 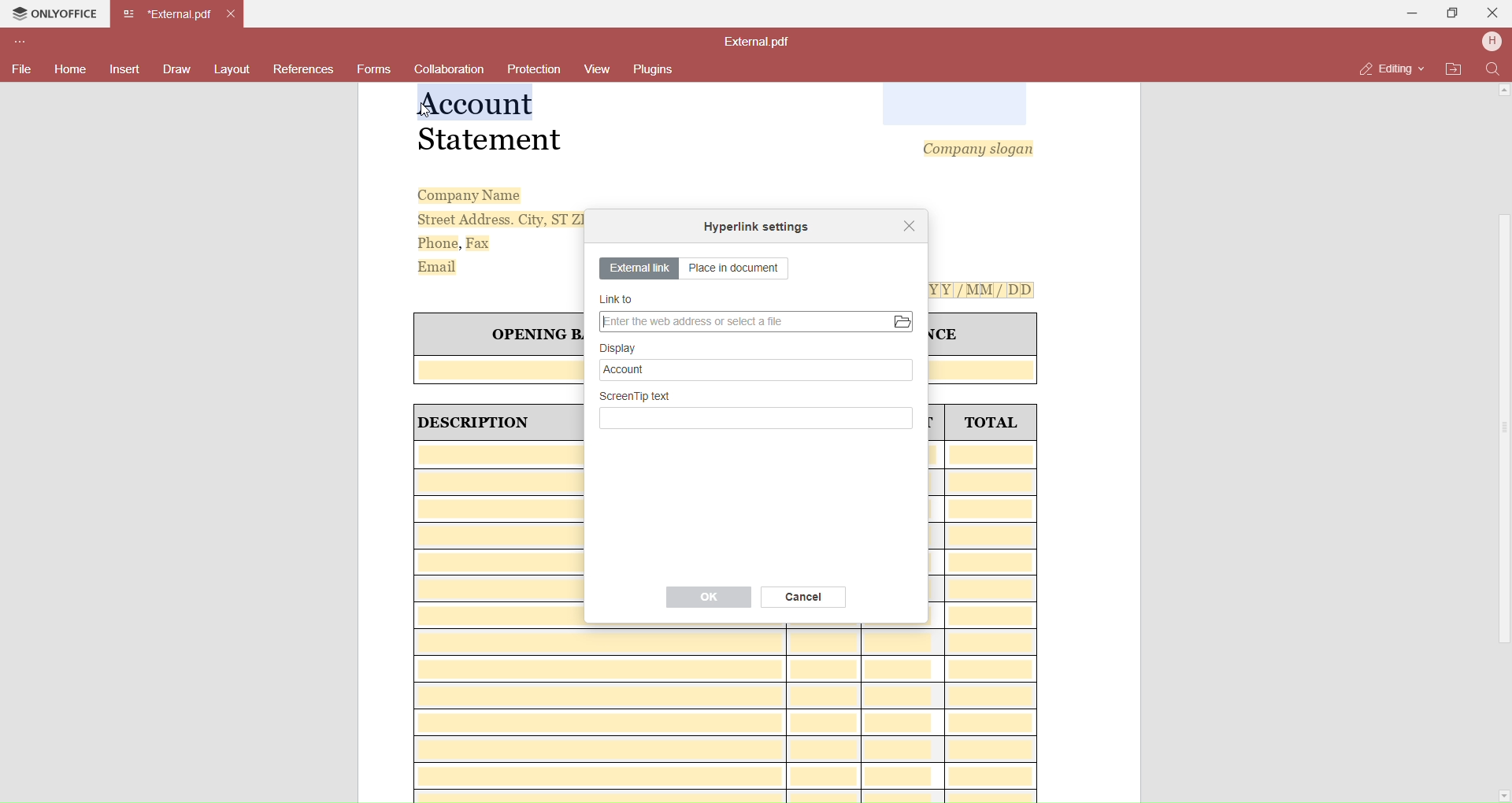 What do you see at coordinates (501, 220) in the screenshot?
I see `Street Address. City, ST ZI` at bounding box center [501, 220].